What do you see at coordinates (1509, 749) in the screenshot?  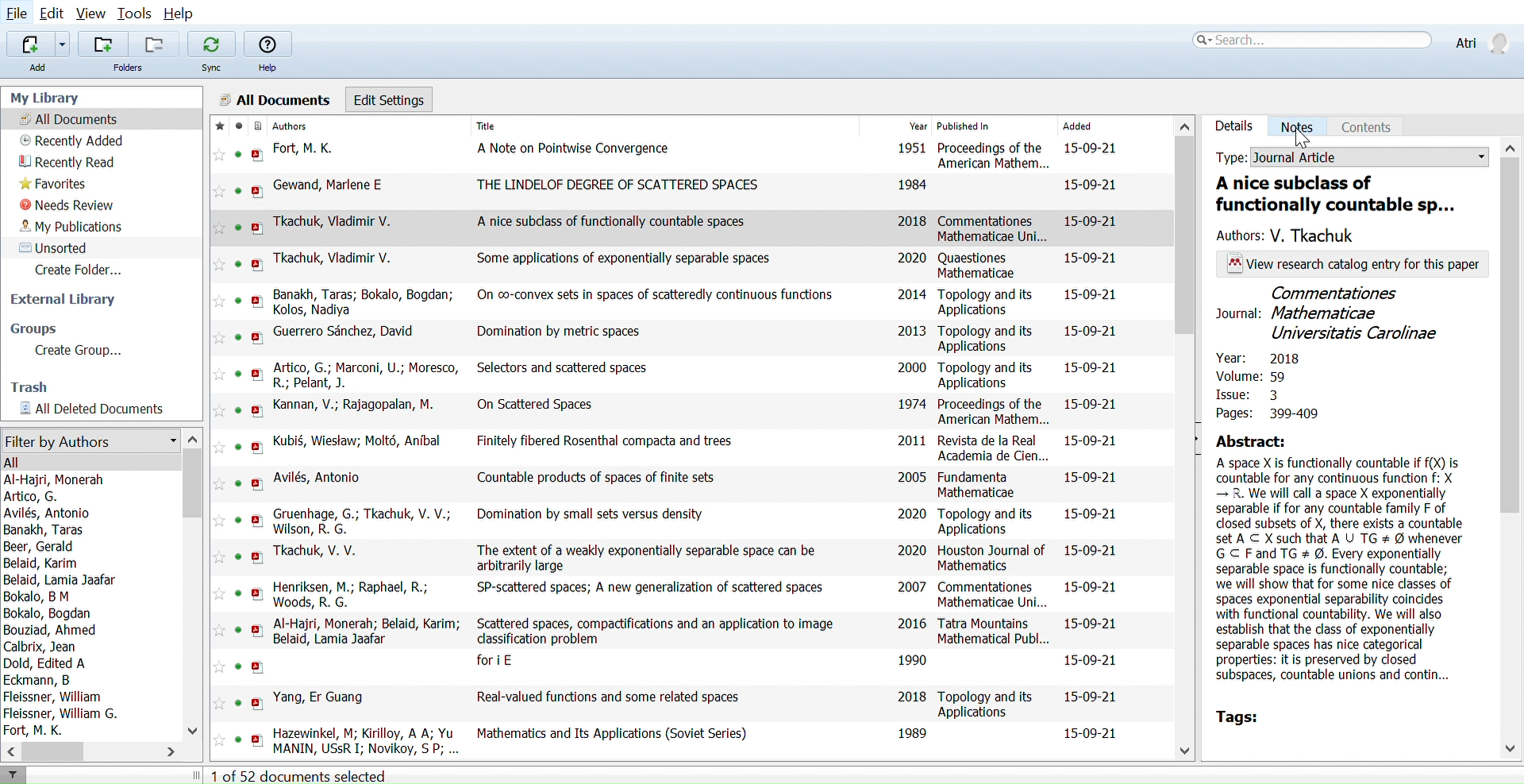 I see `Move down in sidebar` at bounding box center [1509, 749].